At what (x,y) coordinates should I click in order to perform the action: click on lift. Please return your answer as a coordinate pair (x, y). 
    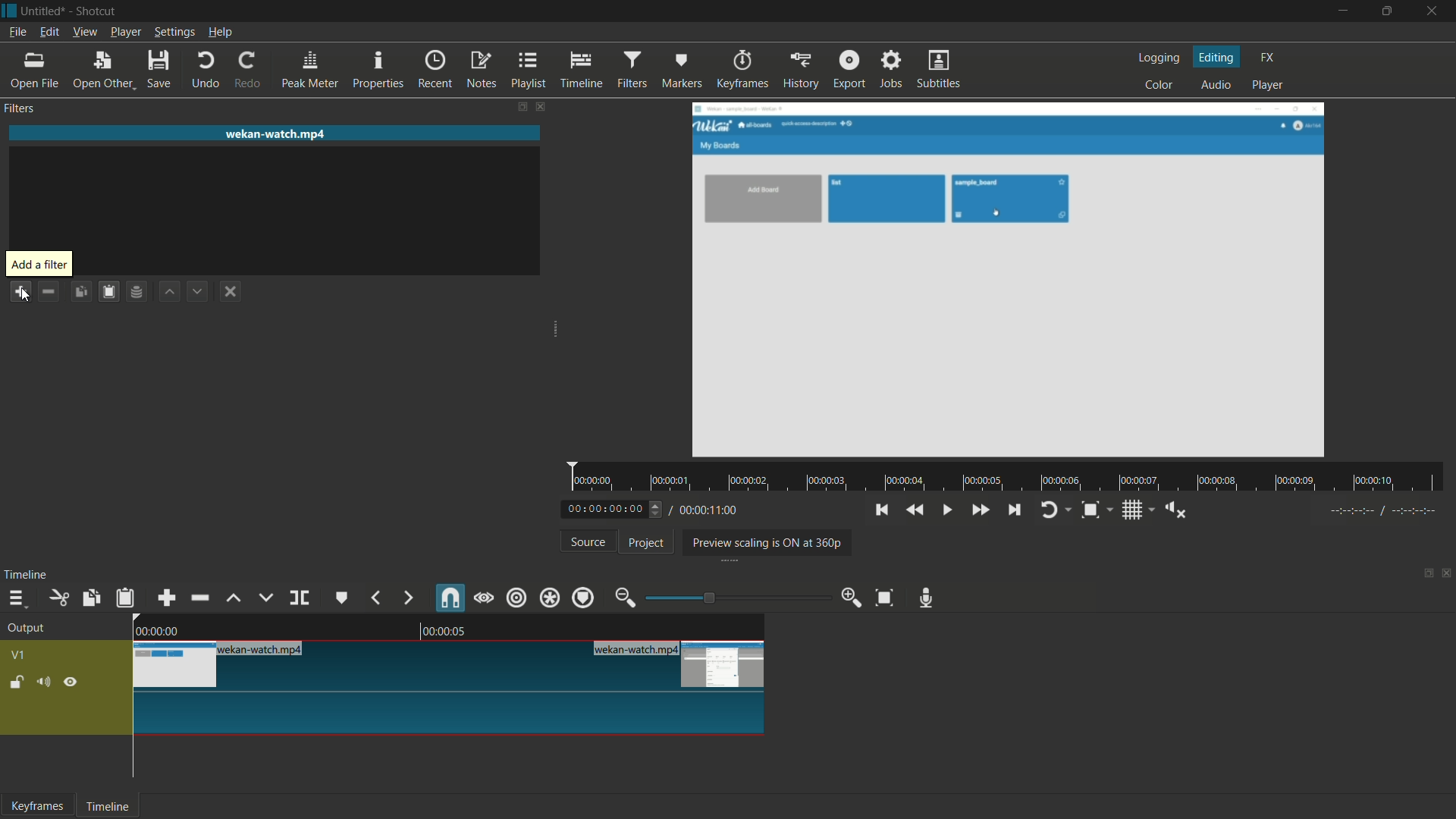
    Looking at the image, I should click on (234, 598).